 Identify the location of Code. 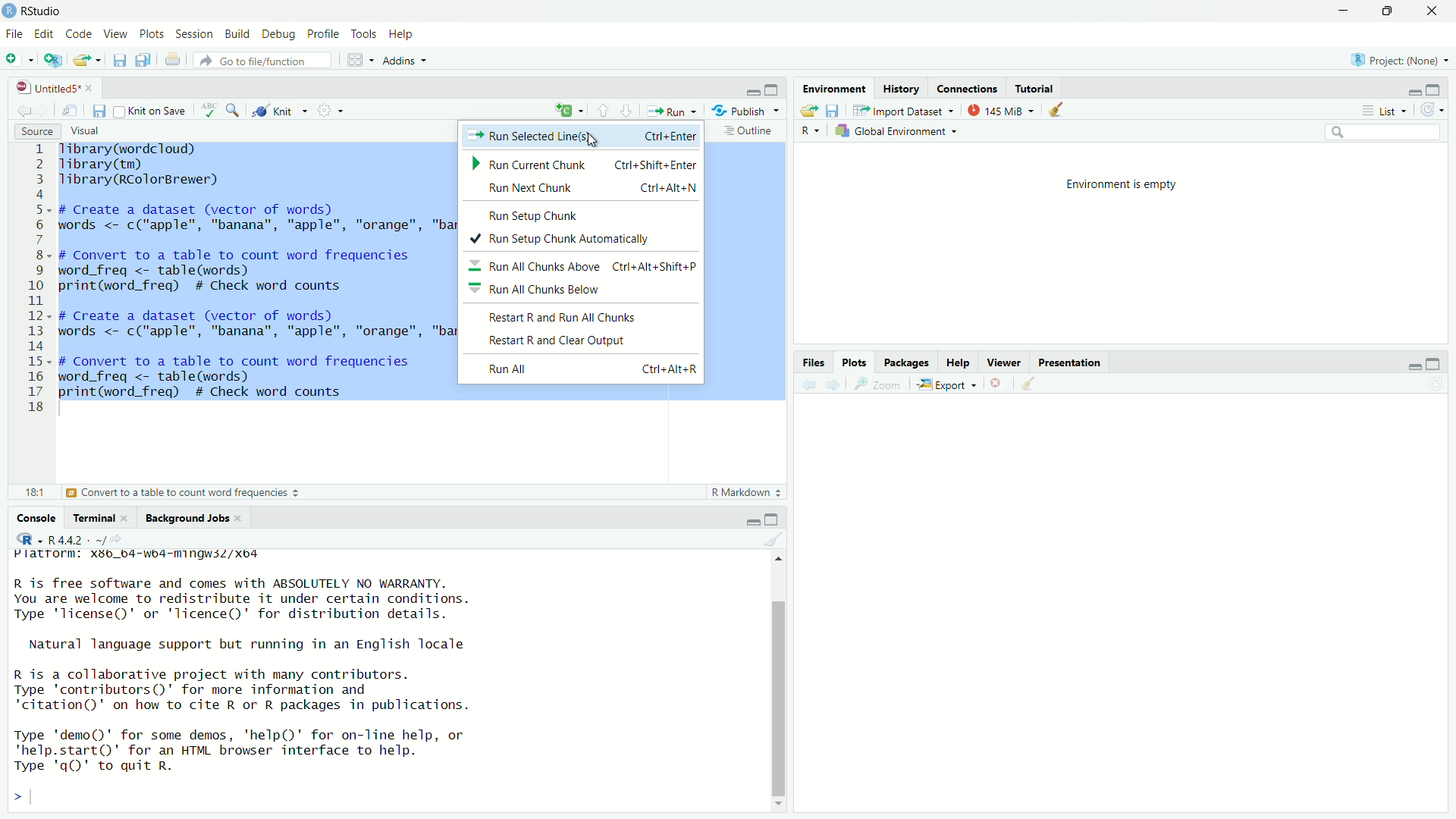
(78, 35).